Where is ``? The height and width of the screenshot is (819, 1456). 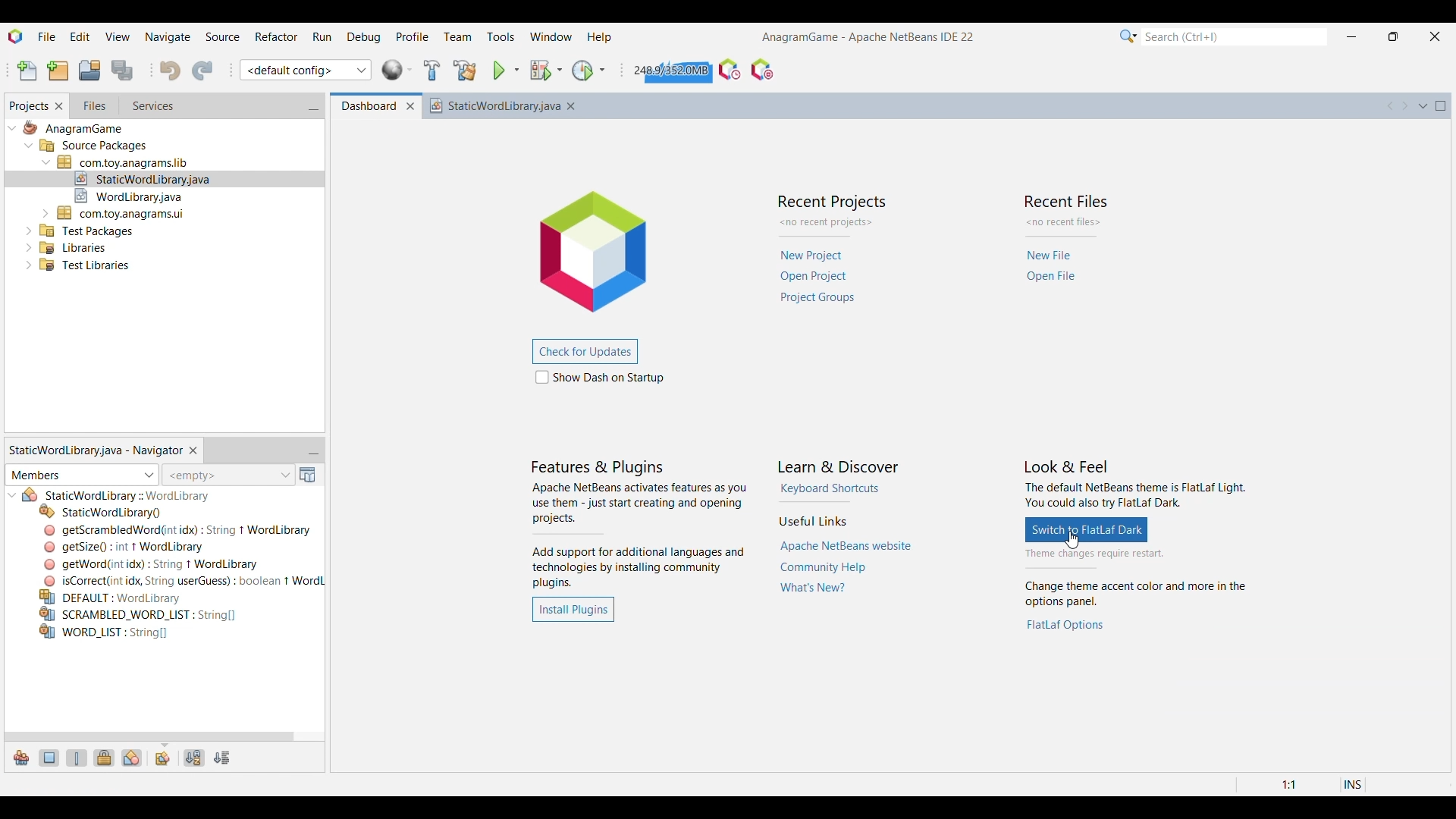
 is located at coordinates (156, 563).